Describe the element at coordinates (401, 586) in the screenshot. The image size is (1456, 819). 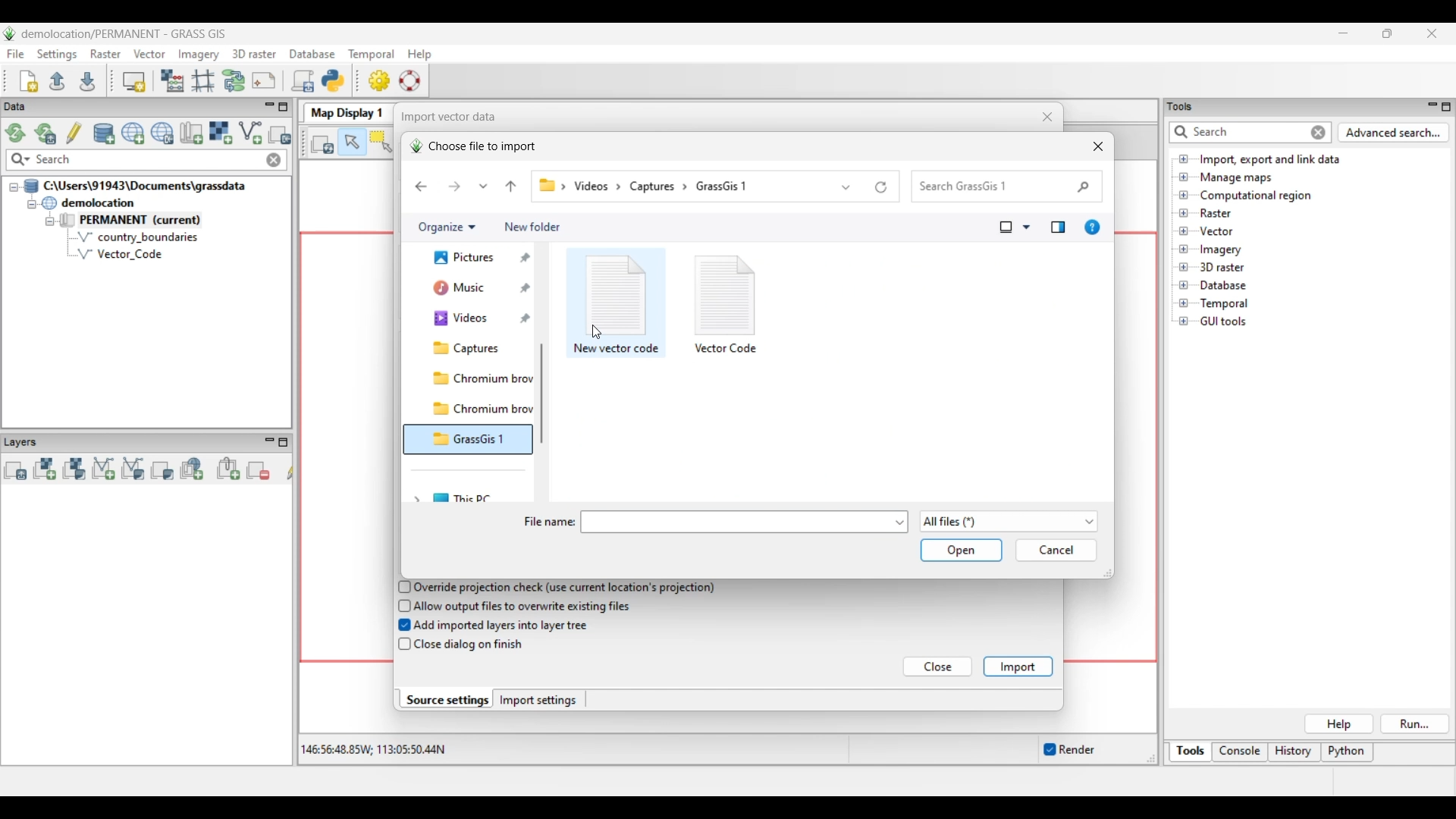
I see `checkbox` at that location.